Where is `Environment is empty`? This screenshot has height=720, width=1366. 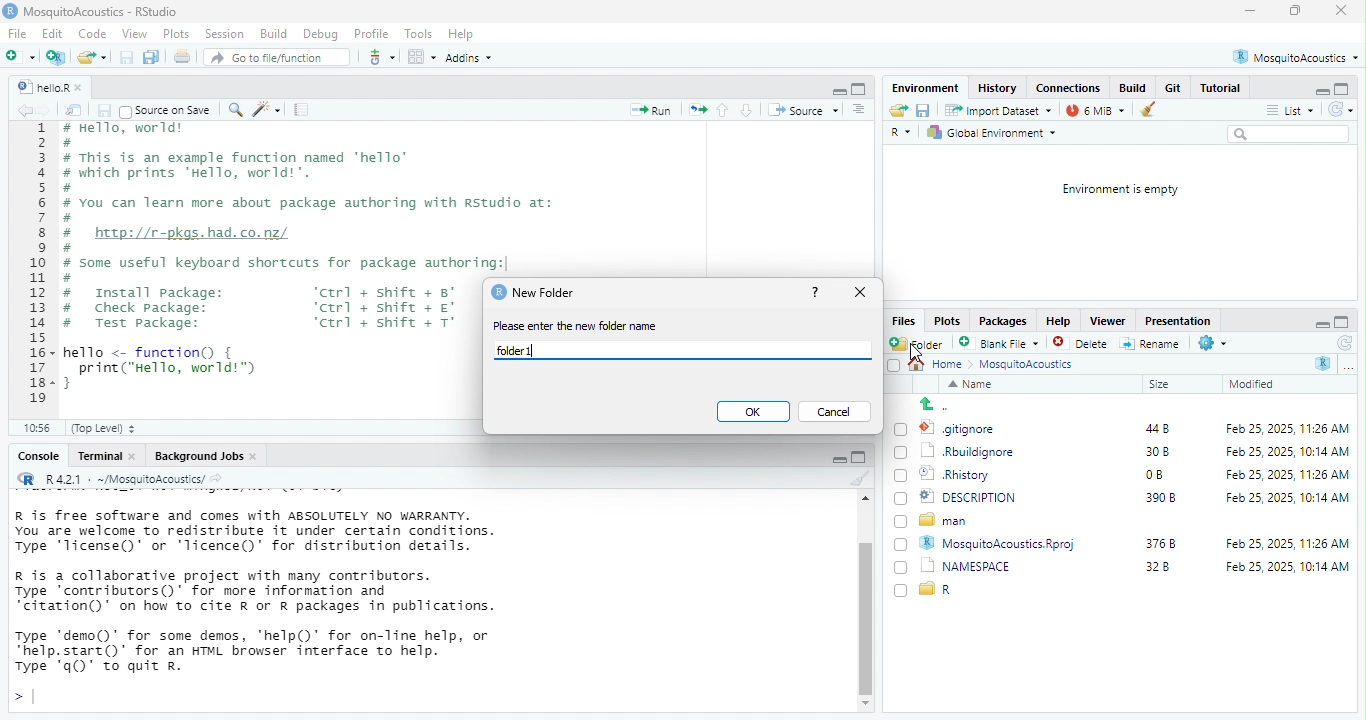 Environment is empty is located at coordinates (1113, 190).